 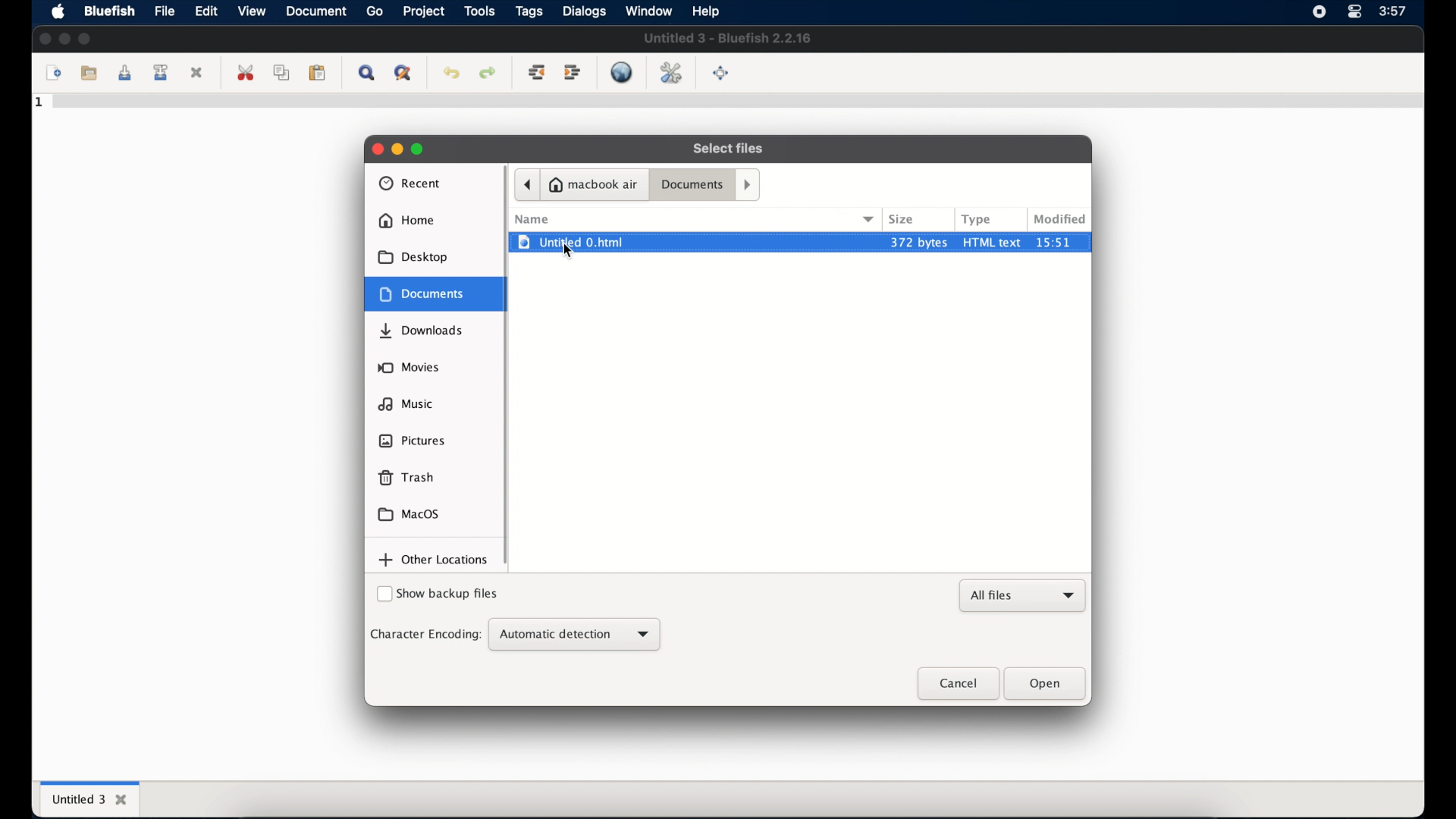 I want to click on Untitied 3 - Bluefish 2.2.16, so click(x=729, y=39).